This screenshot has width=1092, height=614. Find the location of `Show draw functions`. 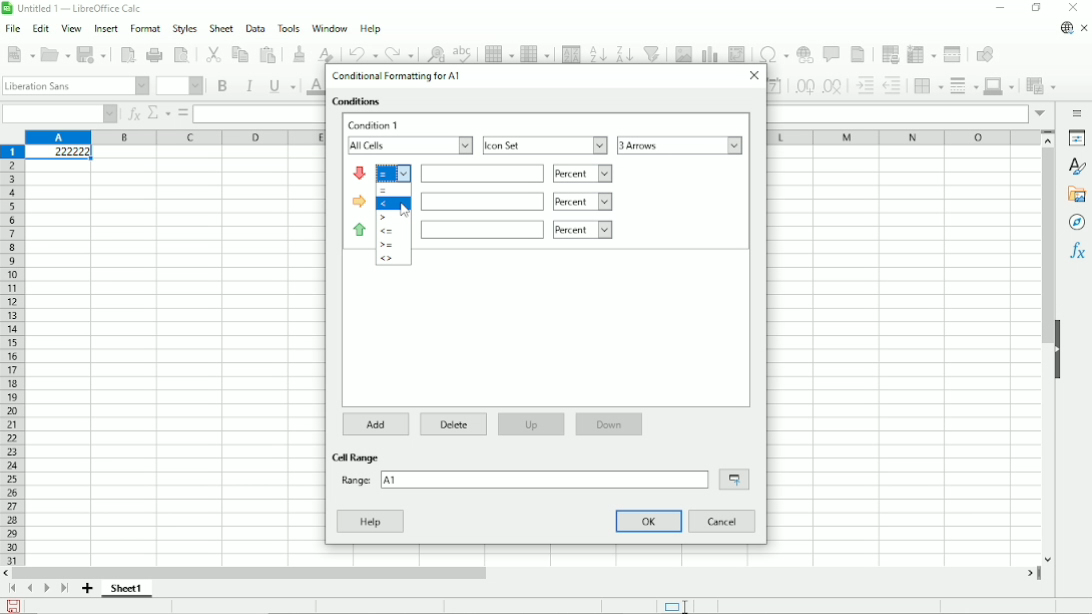

Show draw functions is located at coordinates (983, 53).